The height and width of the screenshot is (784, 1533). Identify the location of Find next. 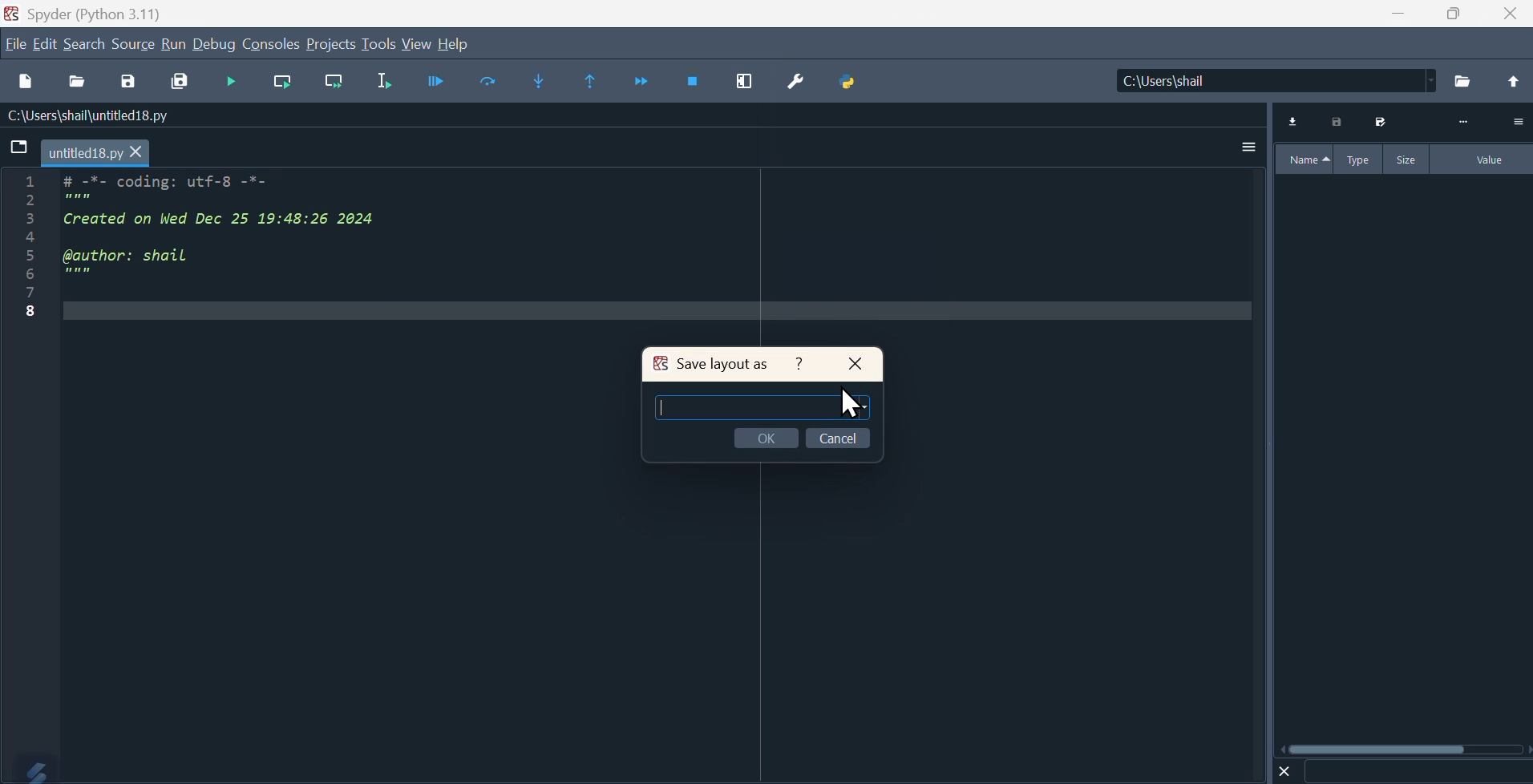
(536, 80).